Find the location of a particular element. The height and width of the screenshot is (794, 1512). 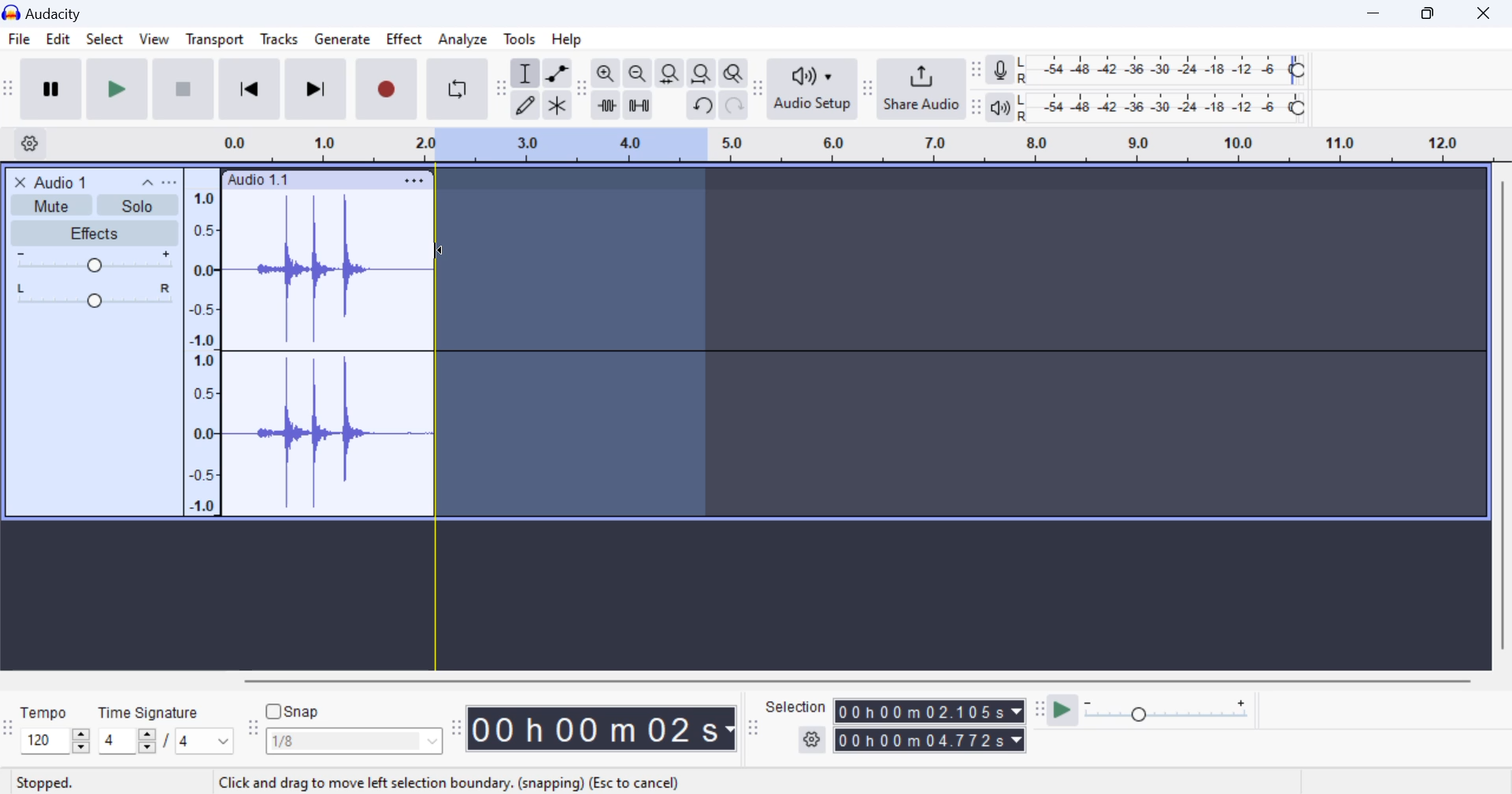

Clip Label is located at coordinates (259, 180).